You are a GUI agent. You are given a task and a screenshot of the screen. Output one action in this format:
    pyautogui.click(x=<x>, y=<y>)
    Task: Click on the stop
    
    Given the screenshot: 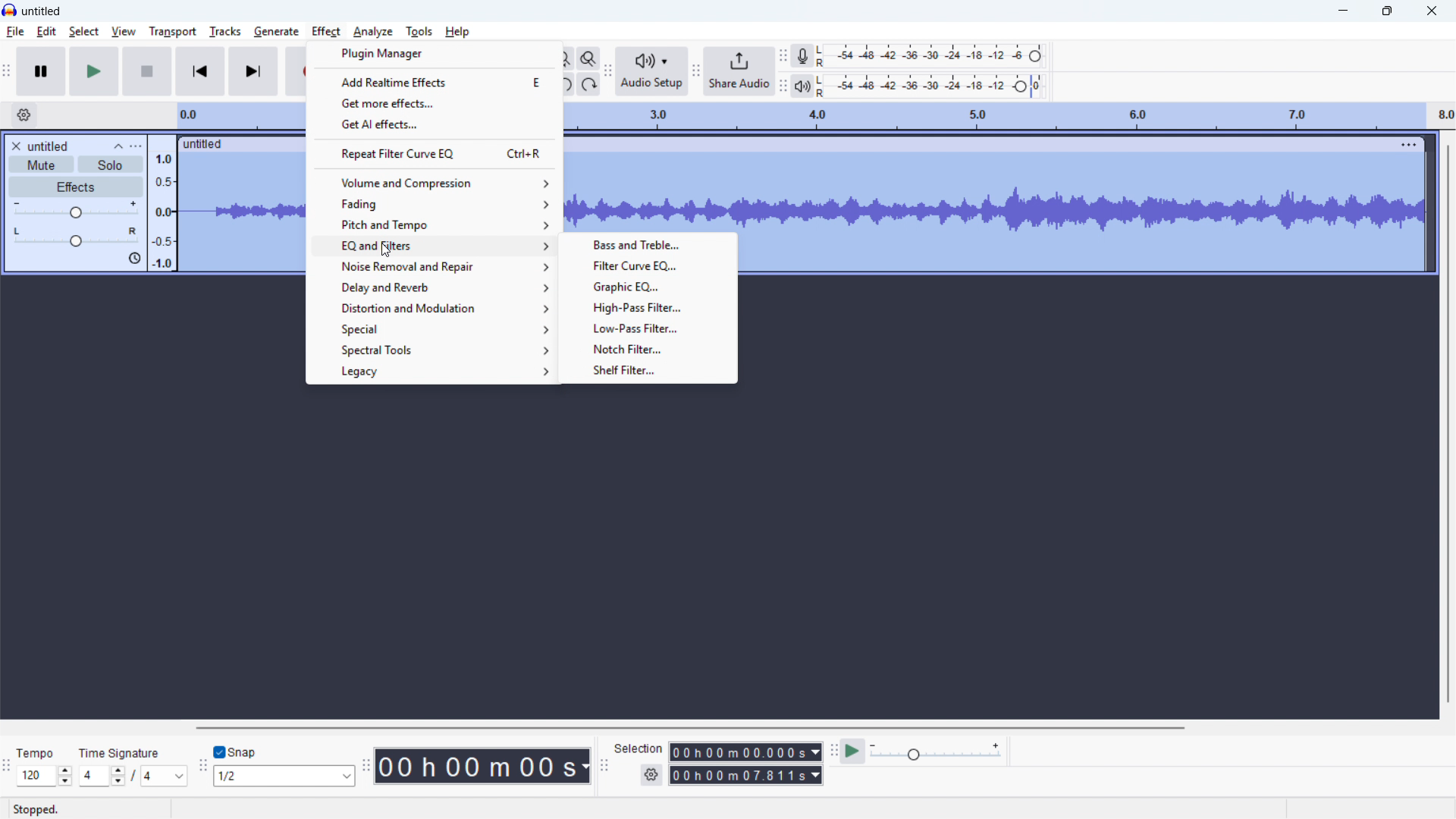 What is the action you would take?
    pyautogui.click(x=148, y=71)
    